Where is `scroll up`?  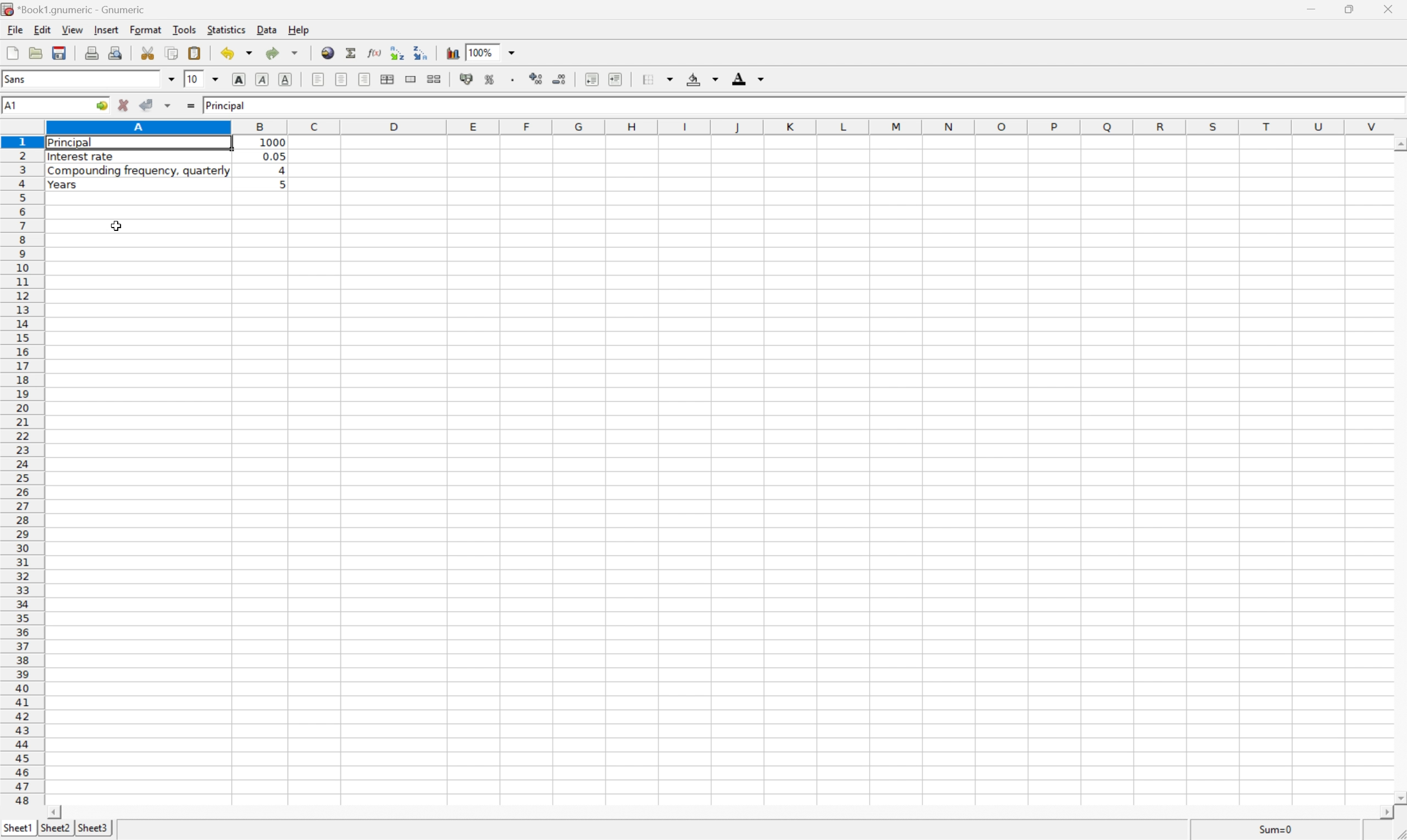 scroll up is located at coordinates (1398, 147).